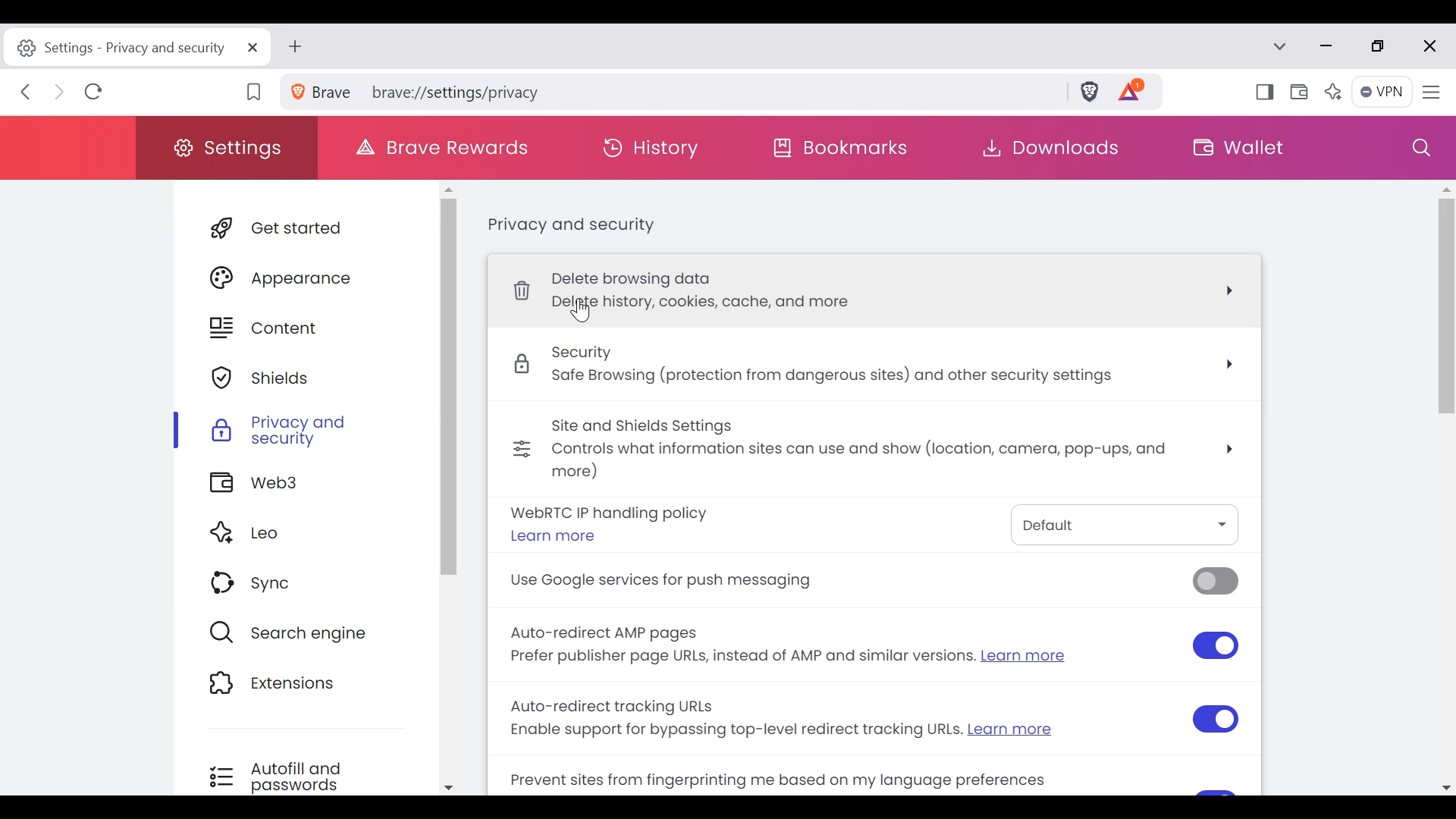 The width and height of the screenshot is (1456, 819). I want to click on Sync, so click(300, 585).